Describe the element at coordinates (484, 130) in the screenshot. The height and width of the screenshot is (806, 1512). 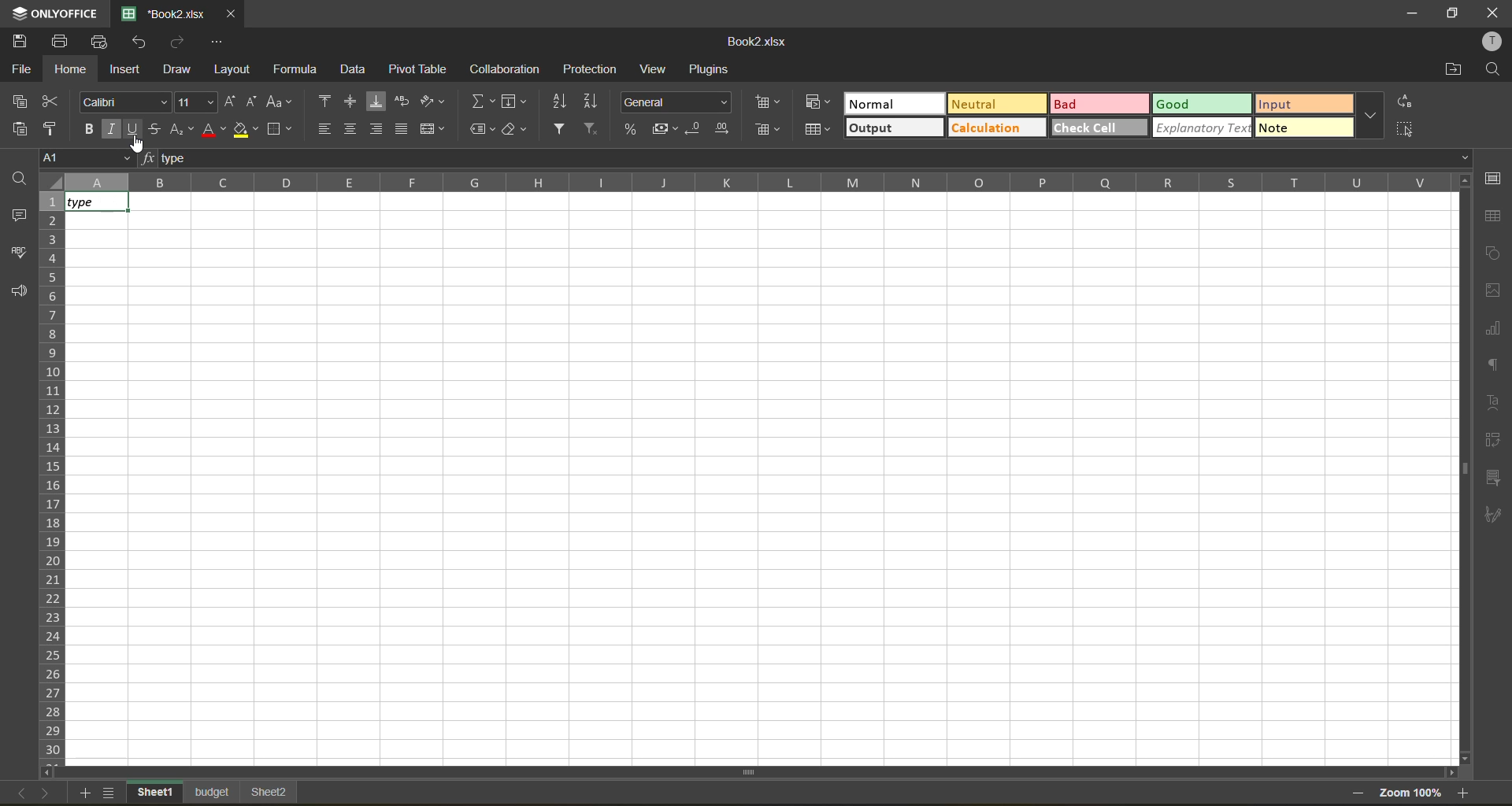
I see `named ranges` at that location.